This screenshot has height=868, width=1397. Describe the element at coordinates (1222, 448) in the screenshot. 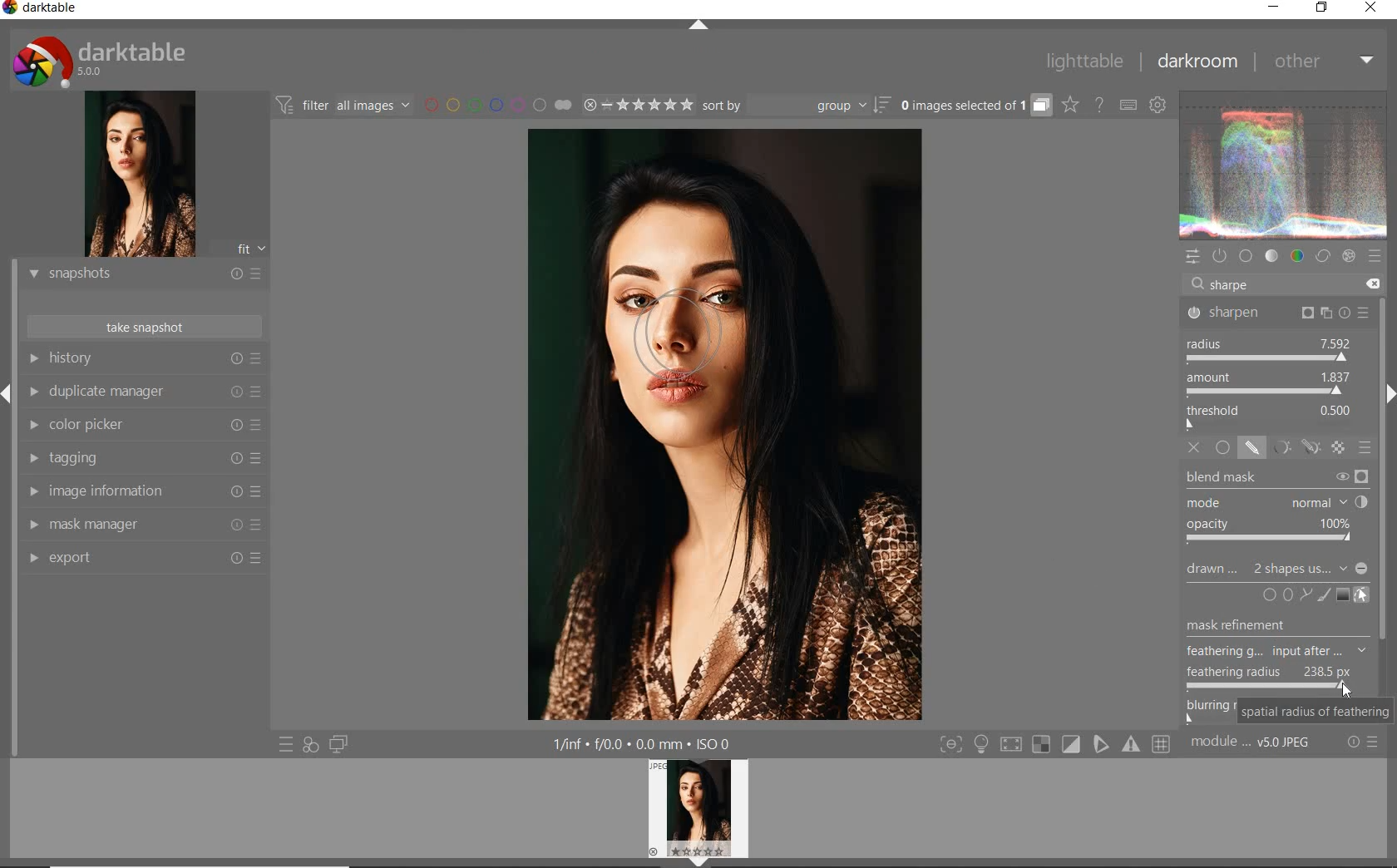

I see `UNIFORMLY` at that location.